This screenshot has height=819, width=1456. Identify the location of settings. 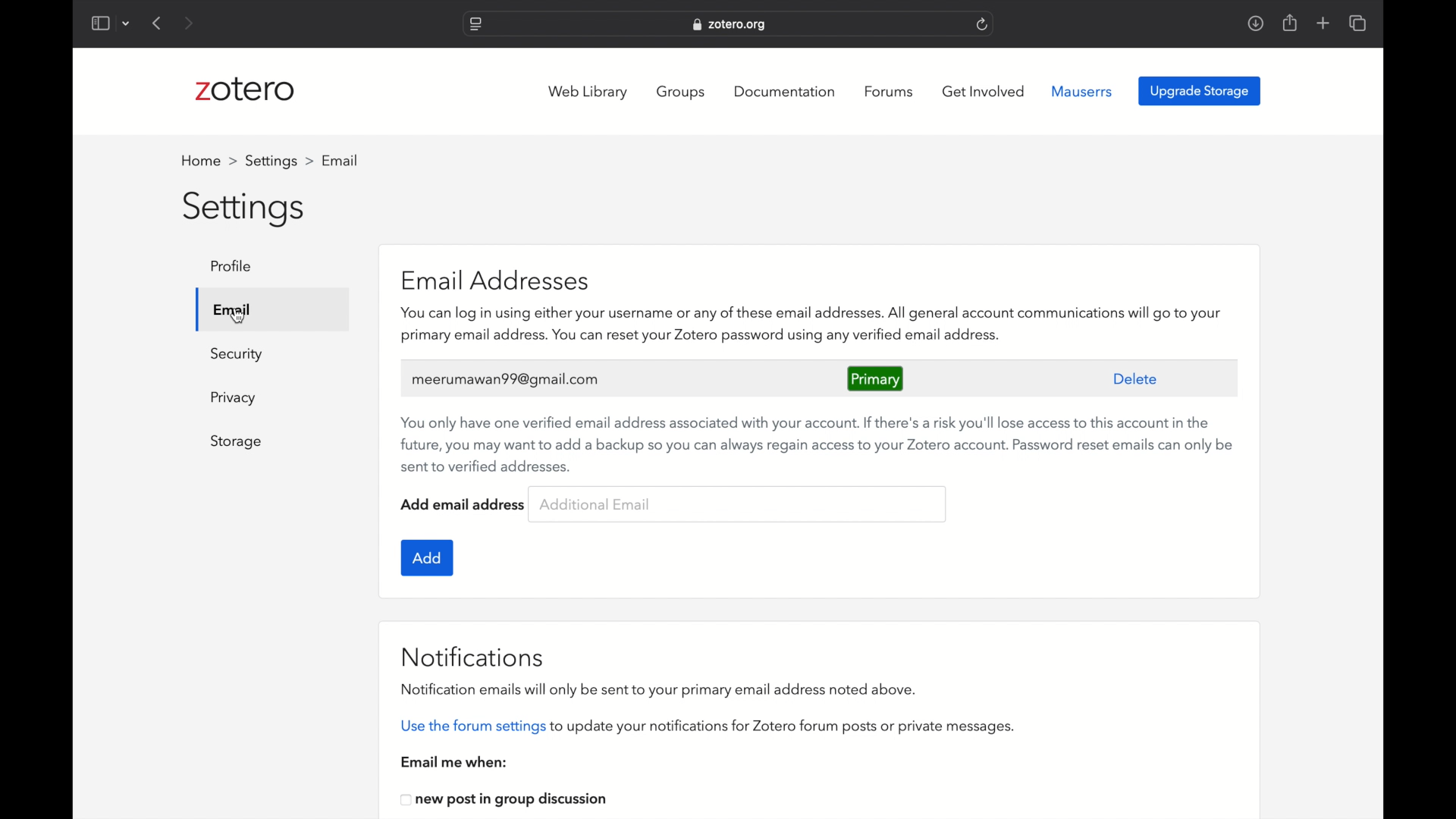
(277, 161).